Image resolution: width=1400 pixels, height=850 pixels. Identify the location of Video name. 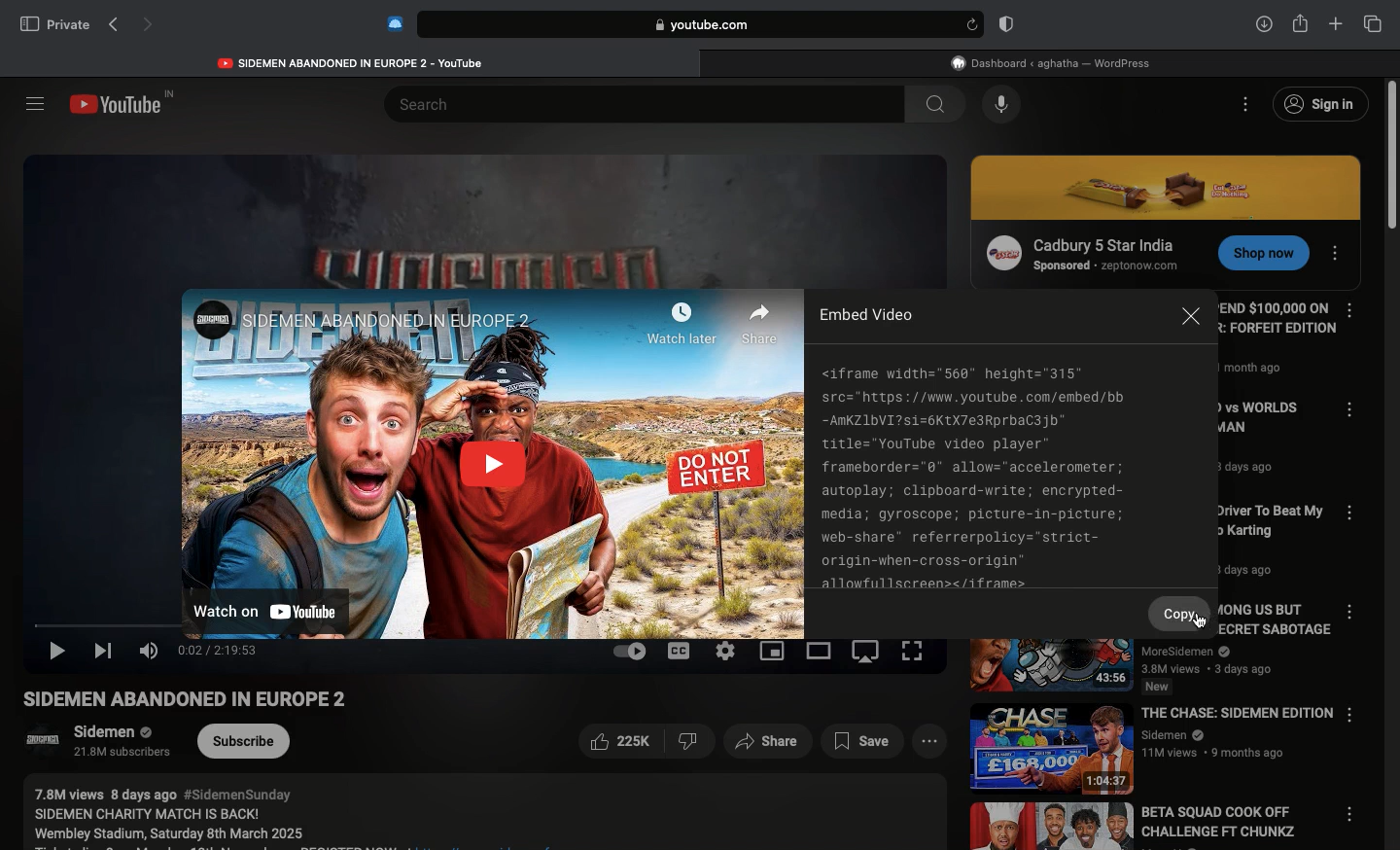
(1154, 745).